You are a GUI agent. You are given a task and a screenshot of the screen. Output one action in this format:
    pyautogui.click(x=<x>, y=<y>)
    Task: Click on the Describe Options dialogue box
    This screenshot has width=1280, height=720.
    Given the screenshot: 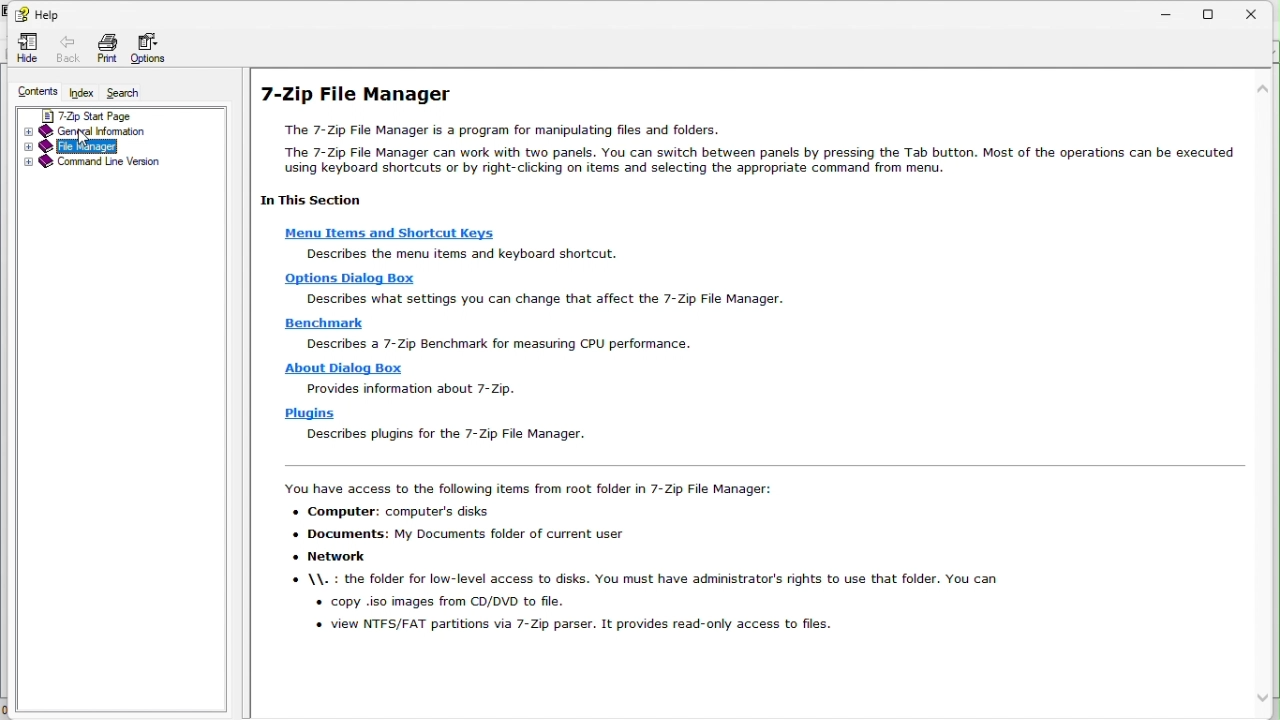 What is the action you would take?
    pyautogui.click(x=551, y=300)
    